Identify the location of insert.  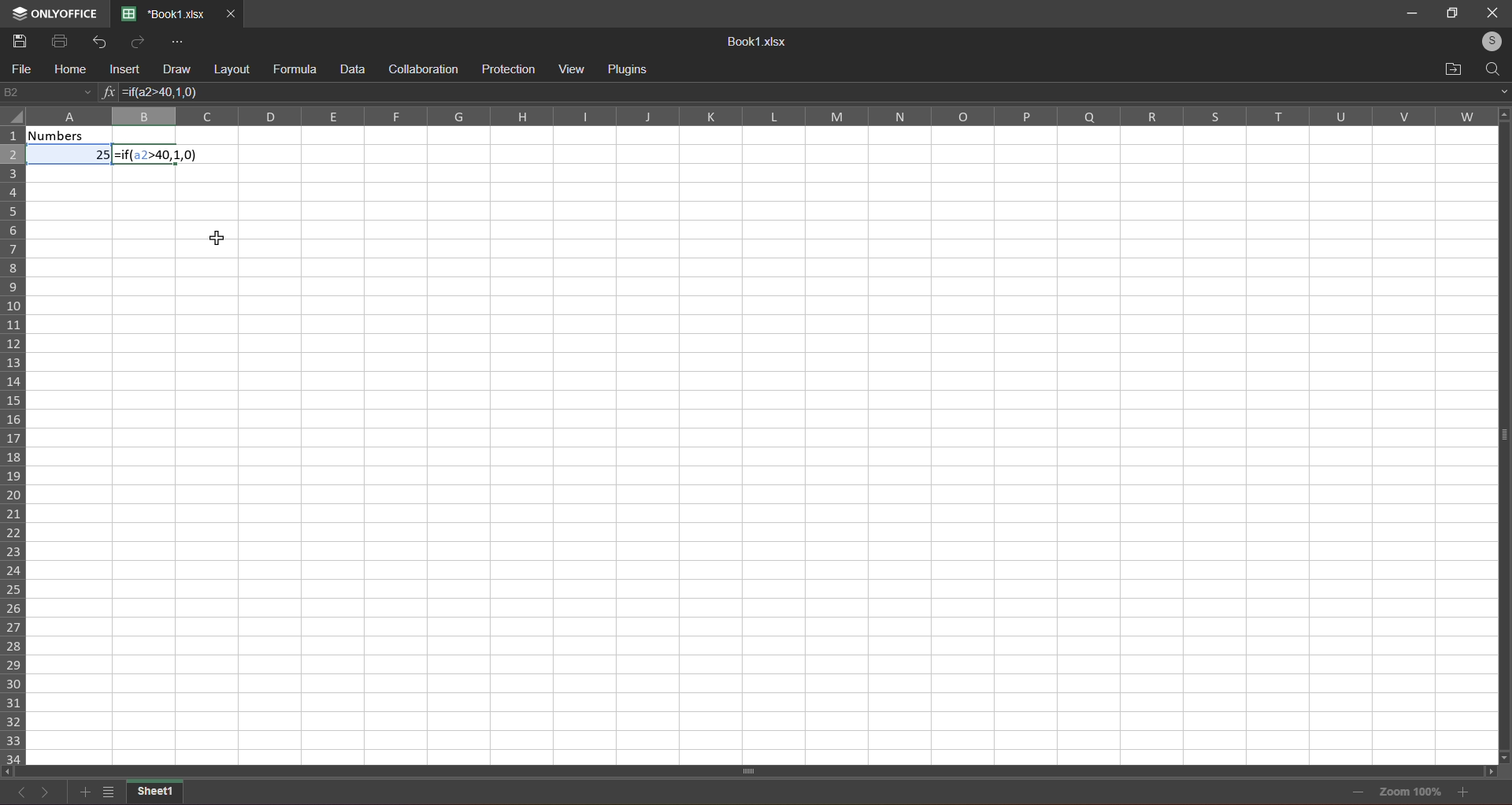
(120, 70).